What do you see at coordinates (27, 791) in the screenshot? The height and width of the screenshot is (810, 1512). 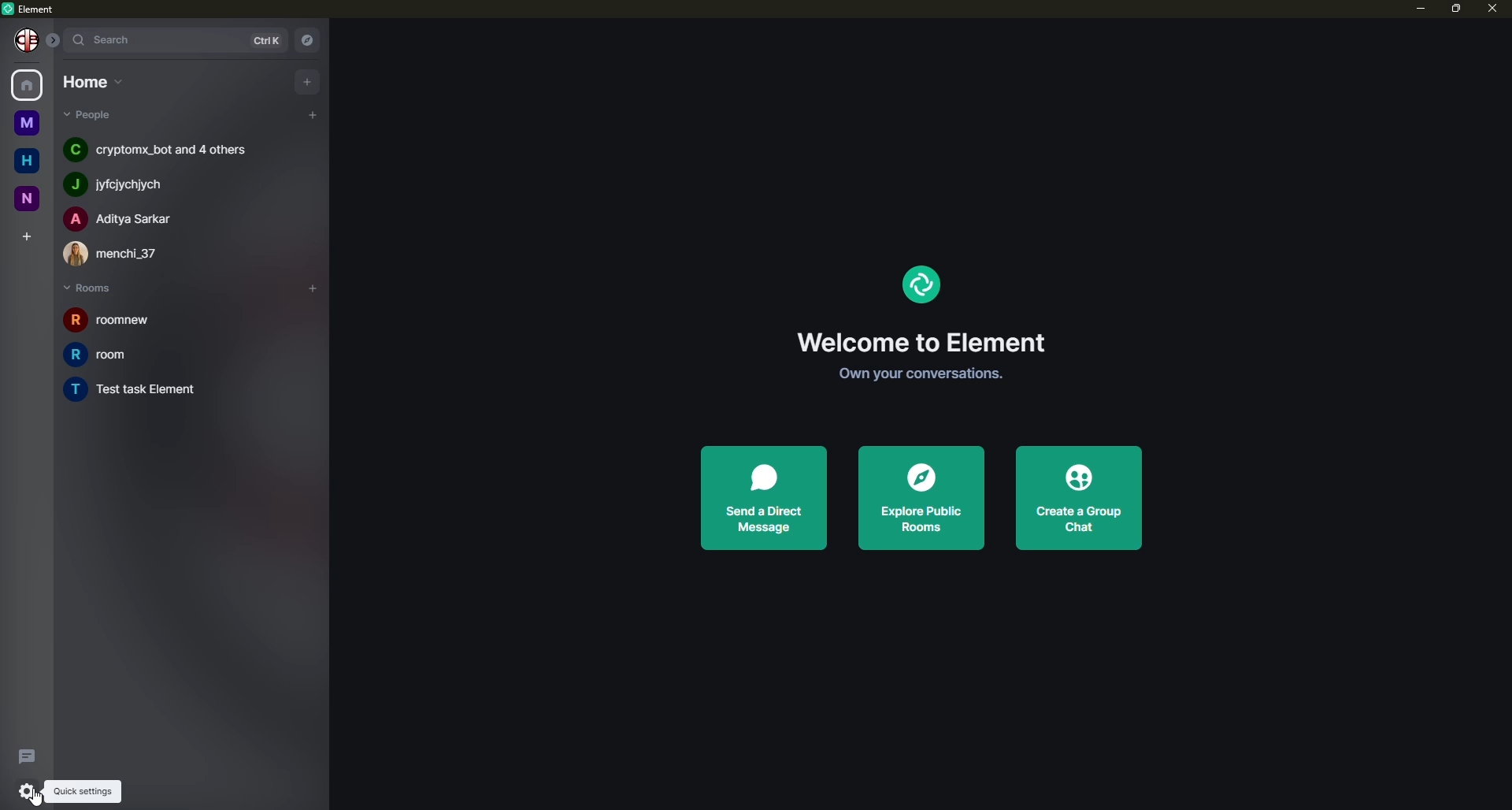 I see `quick settings` at bounding box center [27, 791].